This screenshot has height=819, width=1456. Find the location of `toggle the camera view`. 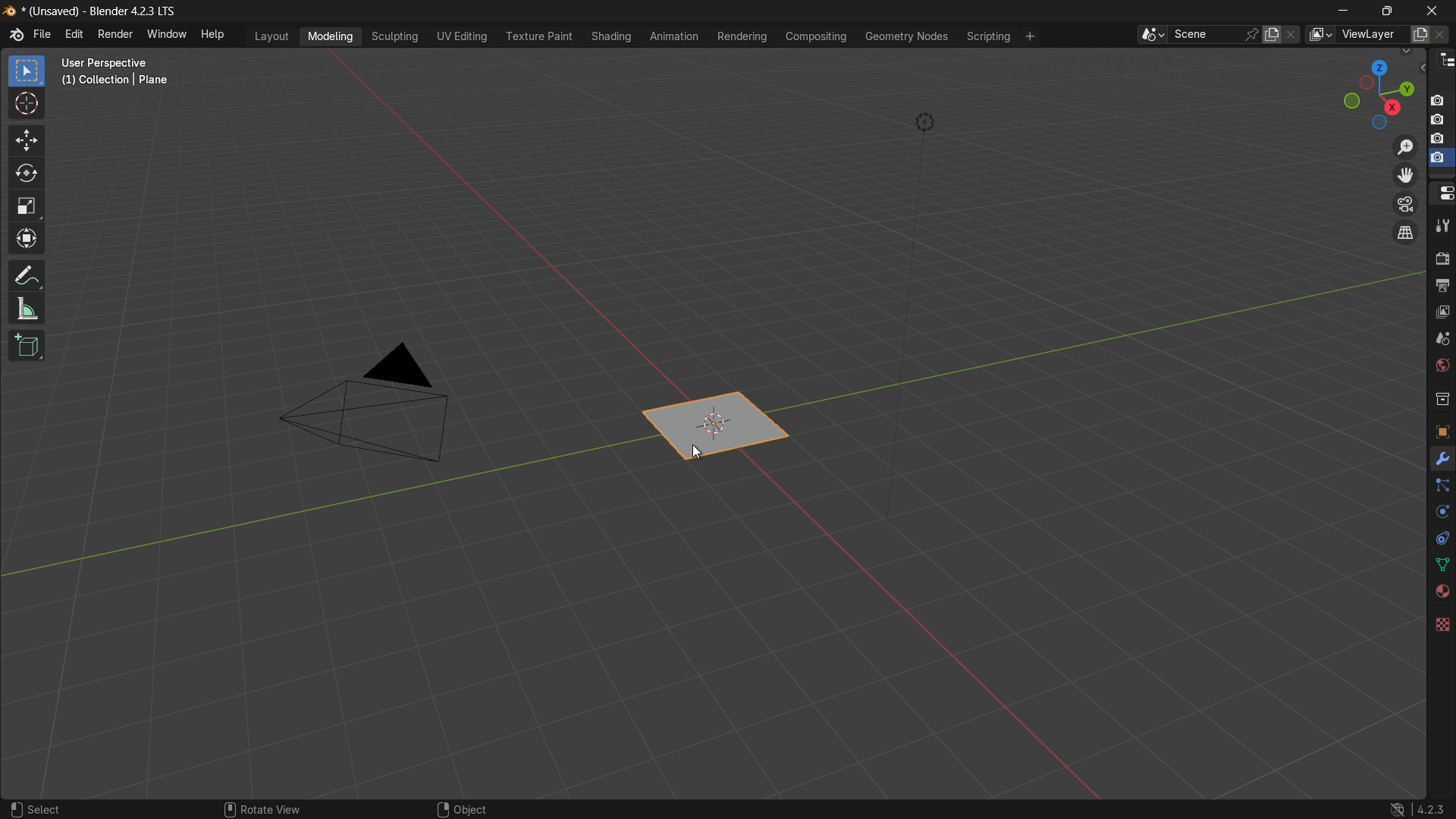

toggle the camera view is located at coordinates (1407, 205).